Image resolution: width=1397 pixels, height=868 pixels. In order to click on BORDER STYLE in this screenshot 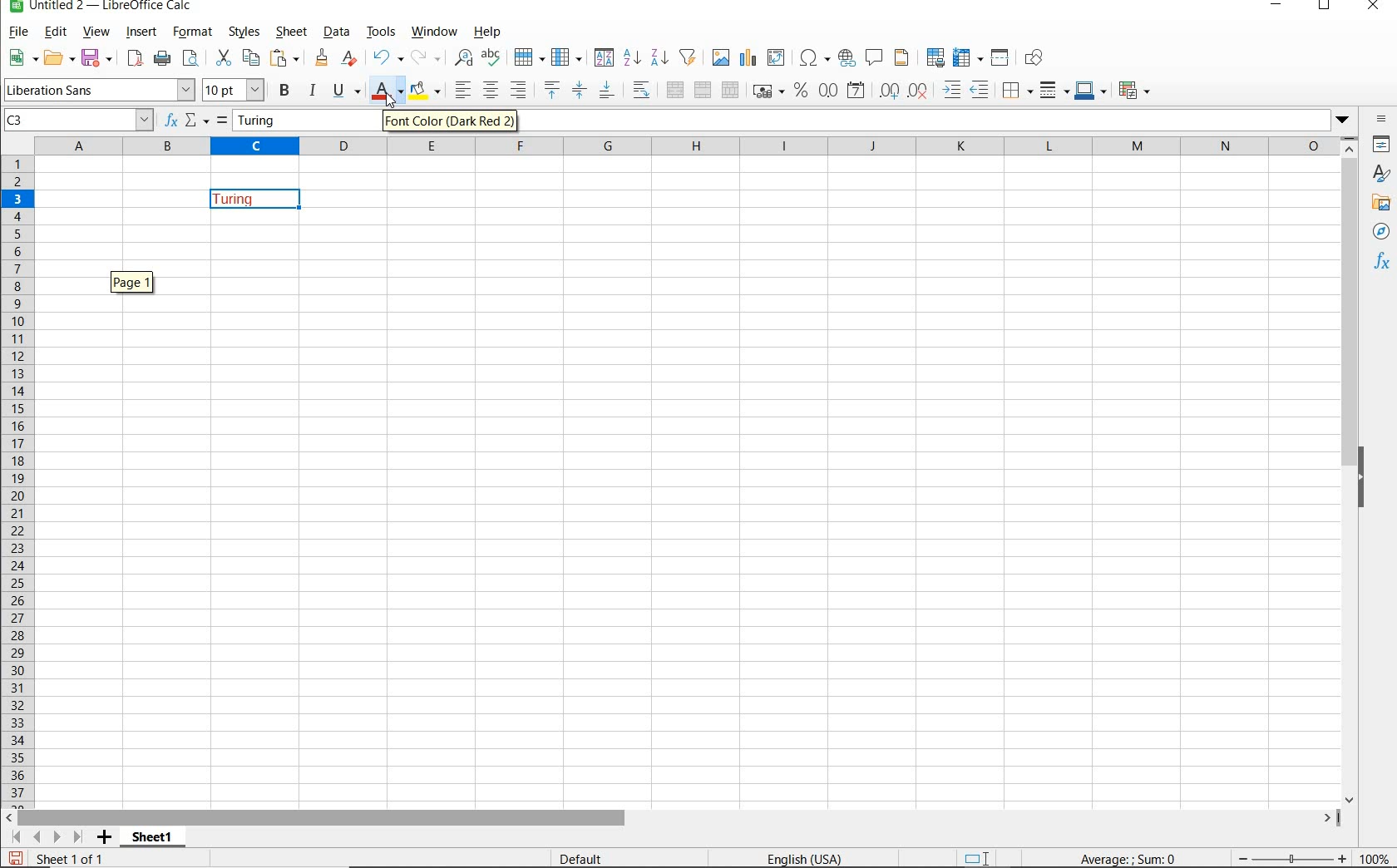, I will do `click(1051, 91)`.